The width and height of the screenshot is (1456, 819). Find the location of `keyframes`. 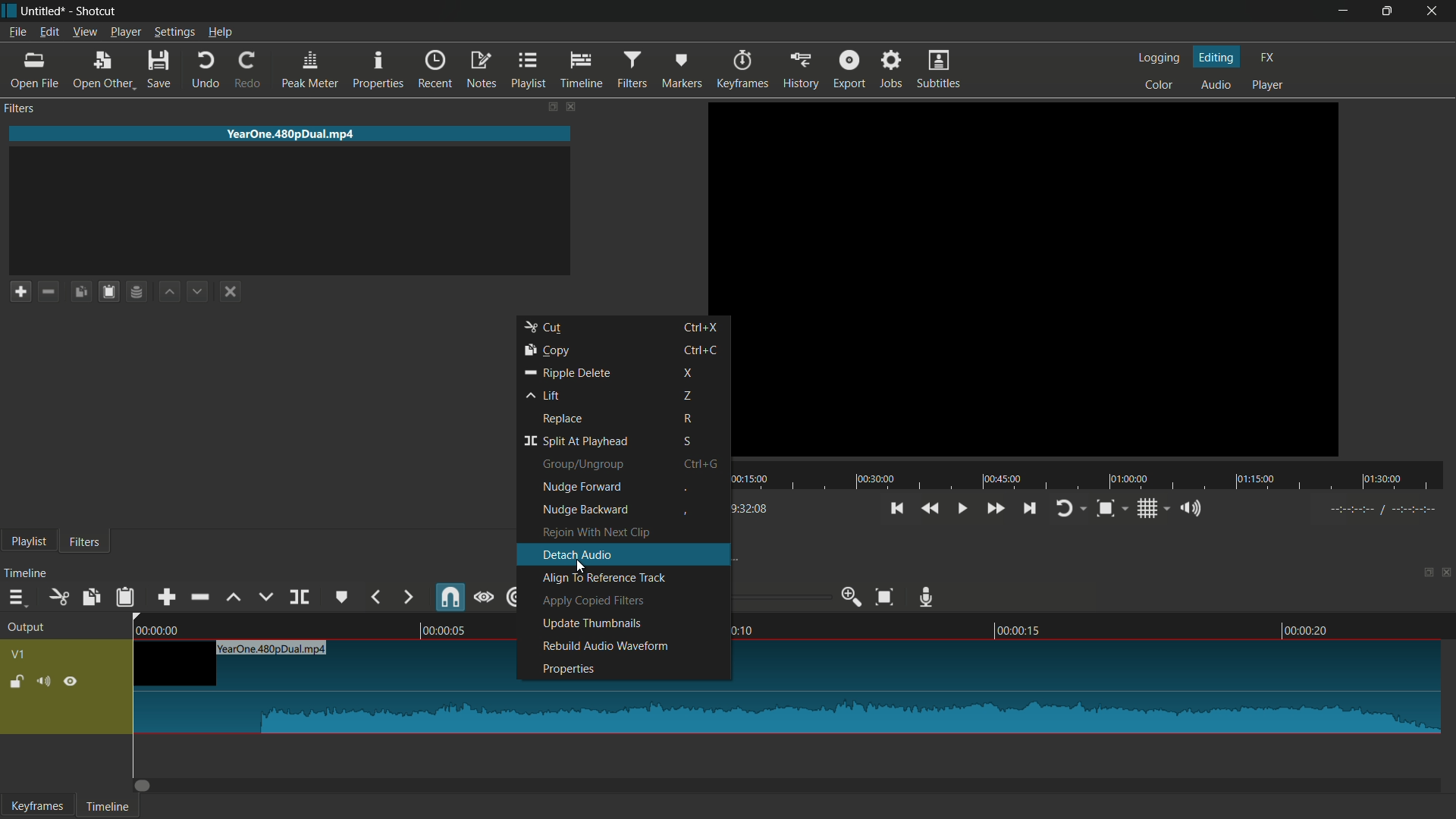

keyframes is located at coordinates (745, 68).